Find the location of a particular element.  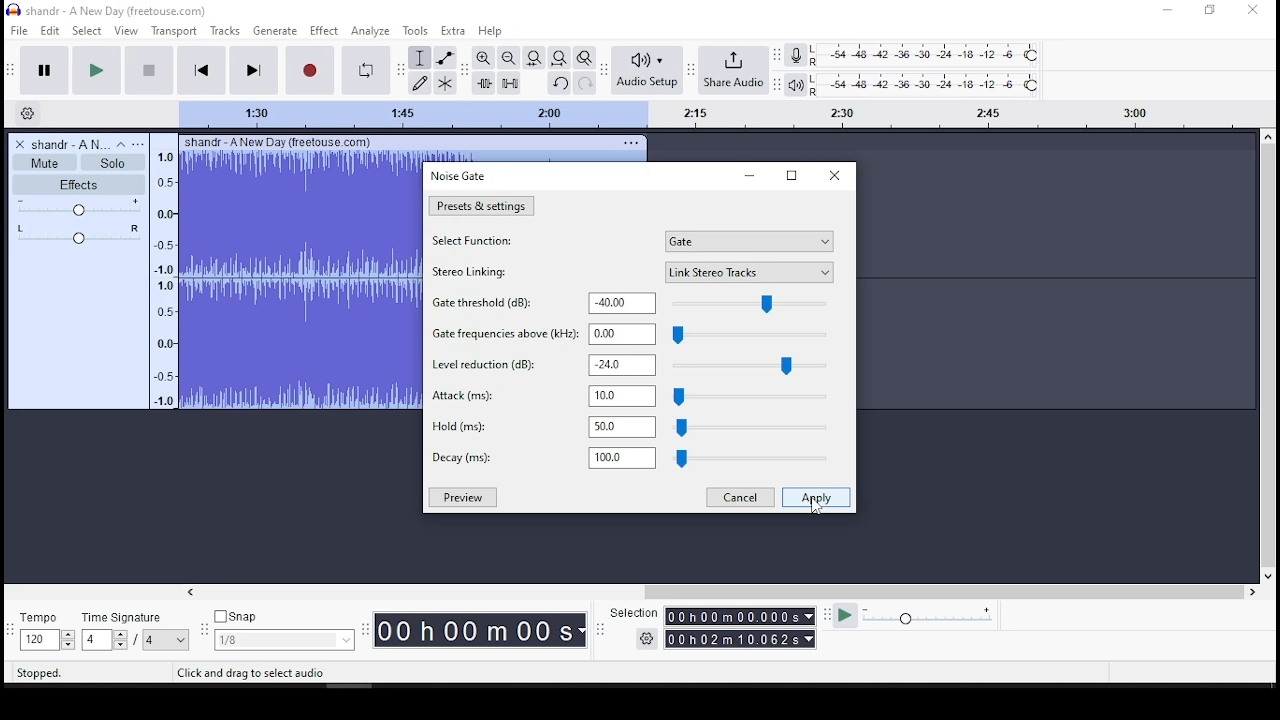

stereo linking is located at coordinates (631, 272).